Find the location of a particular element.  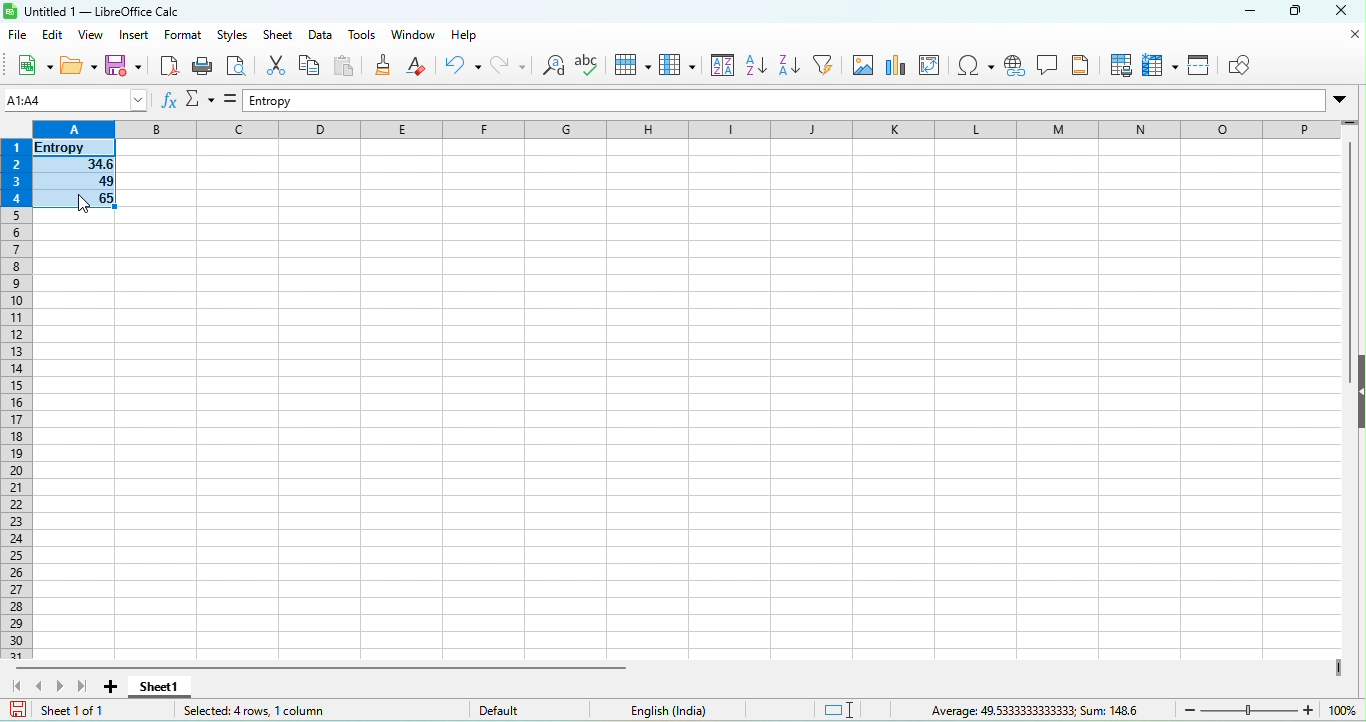

clone formatting is located at coordinates (385, 66).